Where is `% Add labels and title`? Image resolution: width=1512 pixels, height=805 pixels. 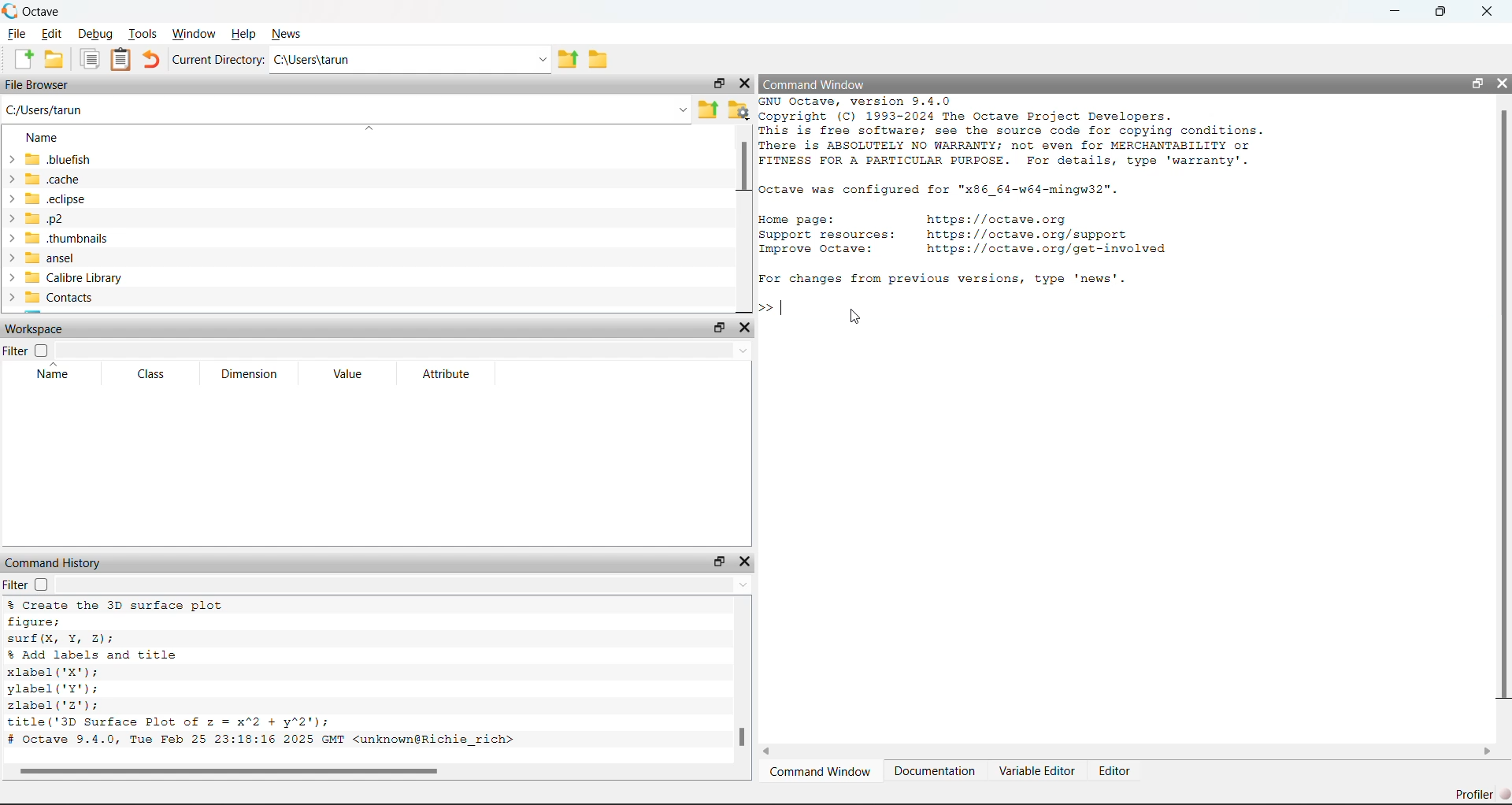 % Add labels and title is located at coordinates (96, 654).